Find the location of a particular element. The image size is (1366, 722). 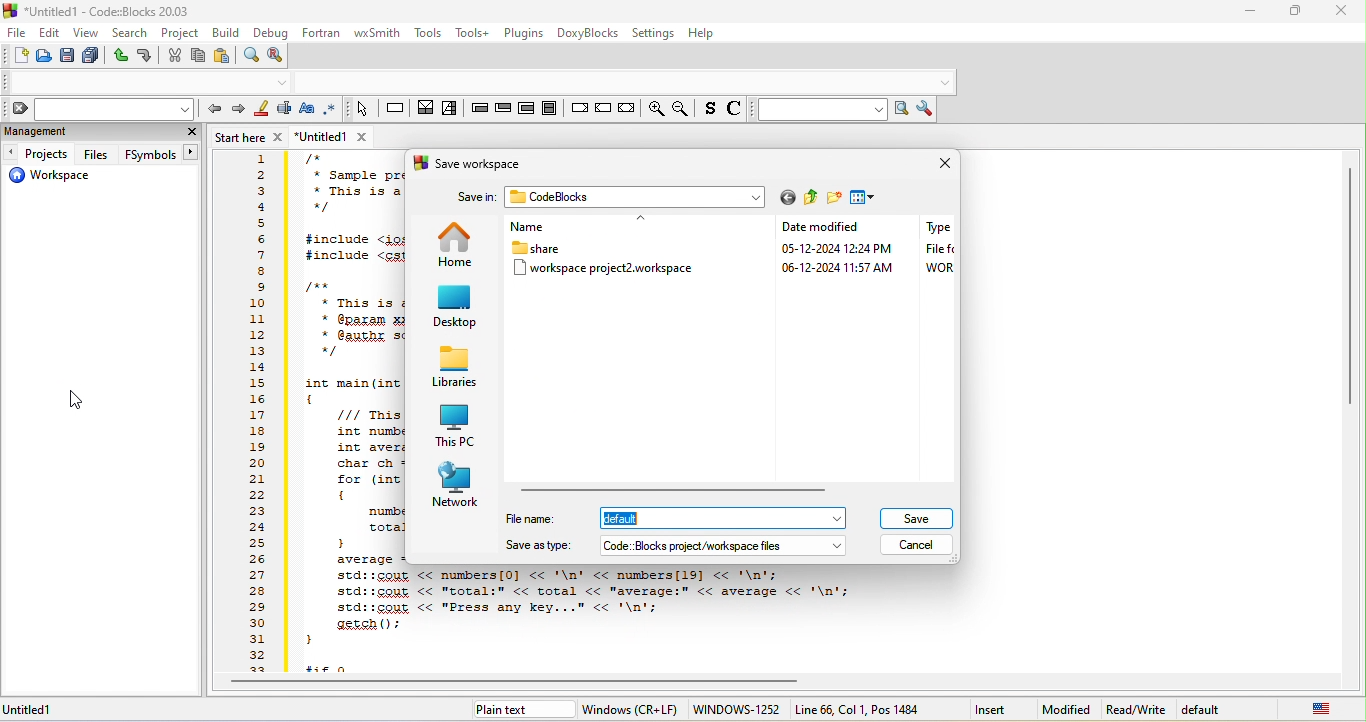

minimize is located at coordinates (1250, 11).